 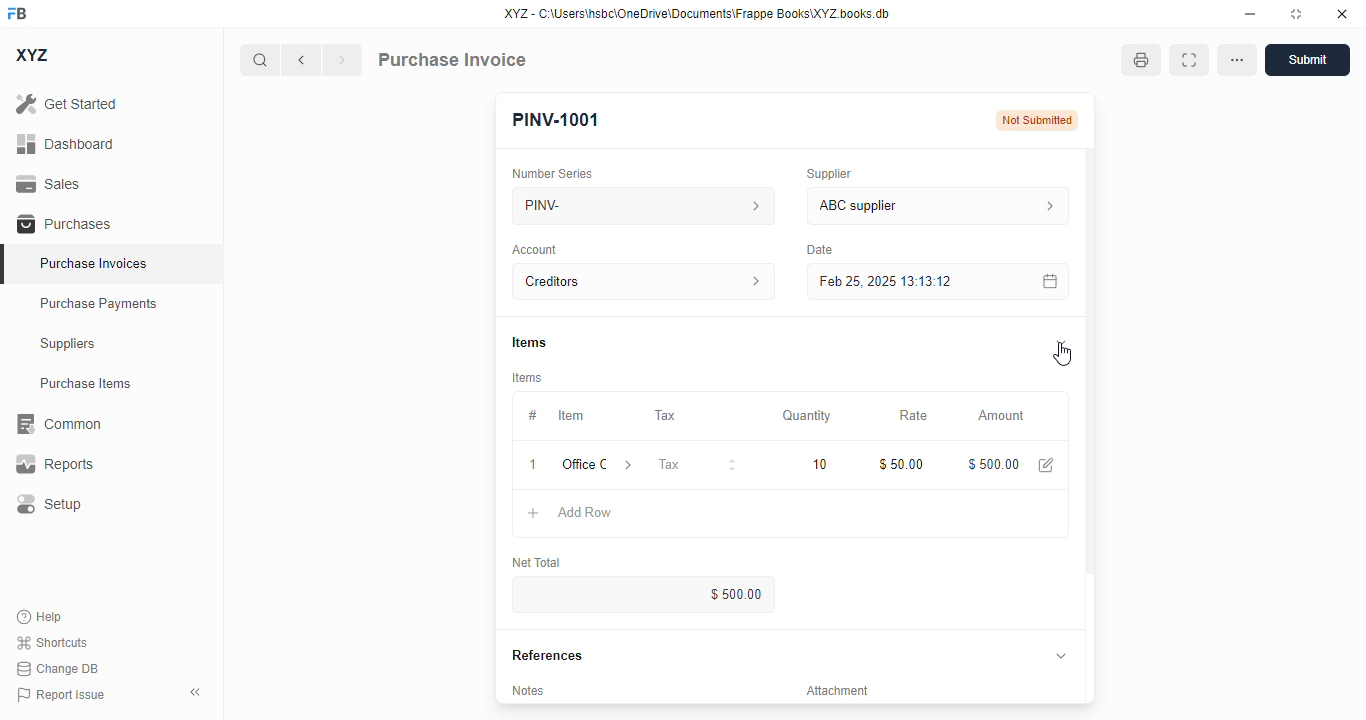 I want to click on XYZ - C:\Users\hsbc\OneDrive\Documents\Frappe Books\XYZ books.db, so click(x=697, y=13).